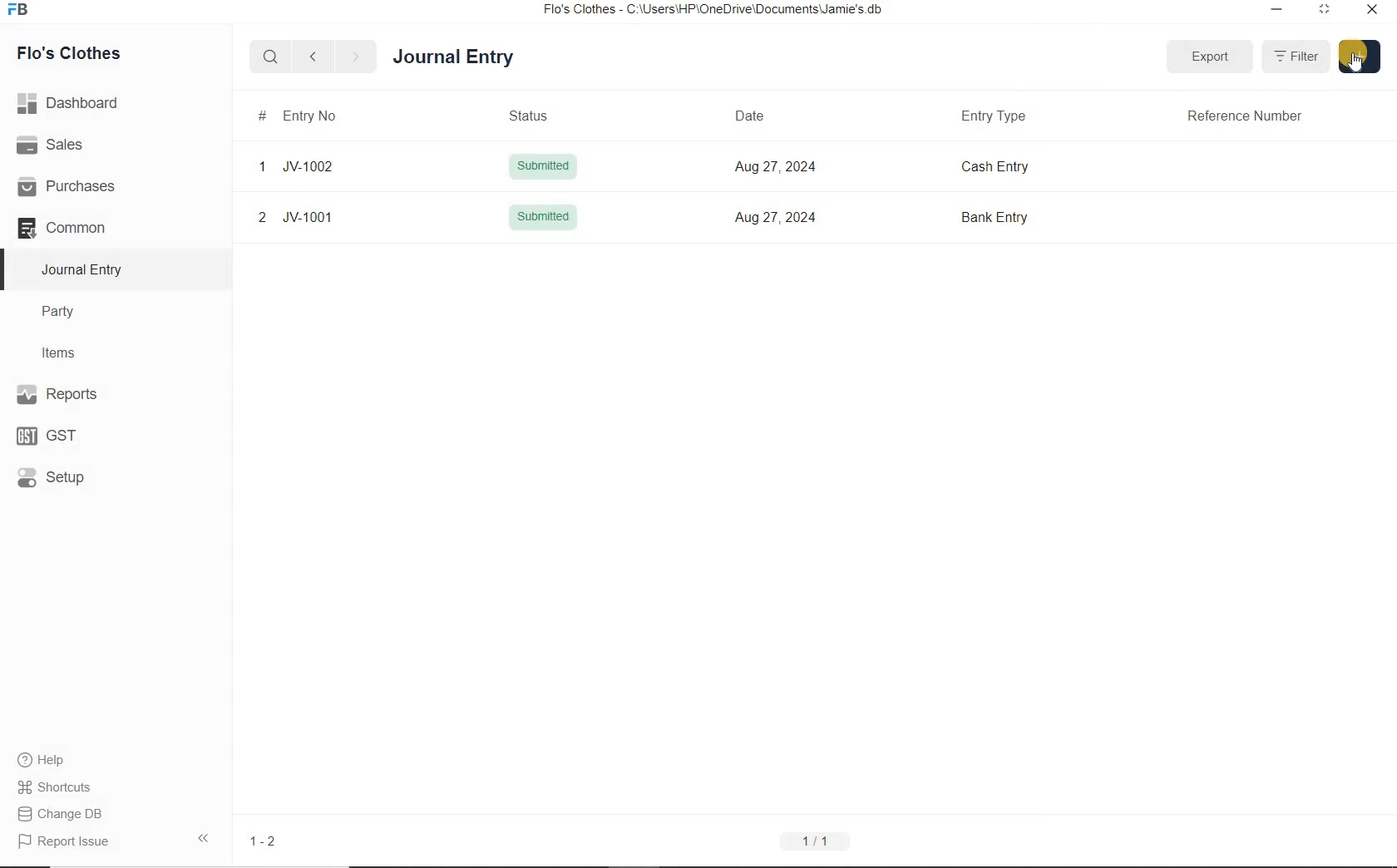 The width and height of the screenshot is (1397, 868). I want to click on filter, so click(1298, 57).